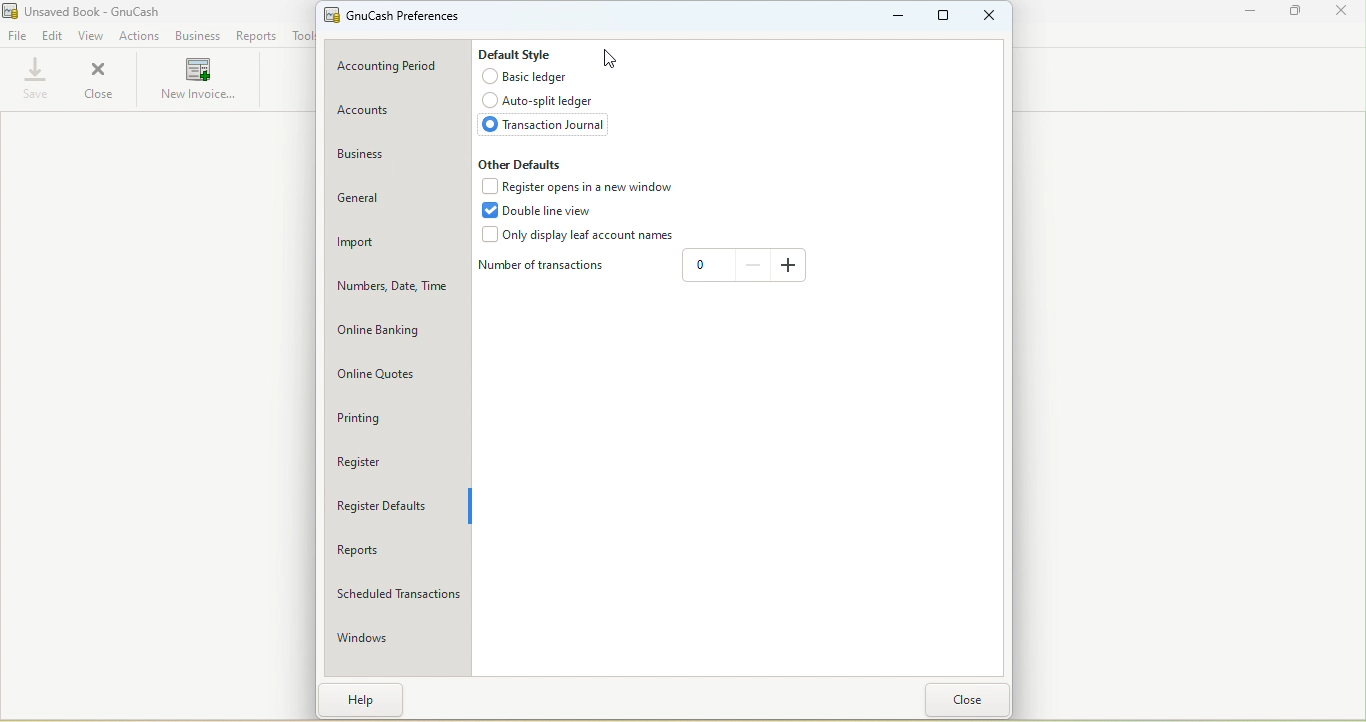 This screenshot has height=722, width=1366. Describe the element at coordinates (102, 80) in the screenshot. I see `Close` at that location.